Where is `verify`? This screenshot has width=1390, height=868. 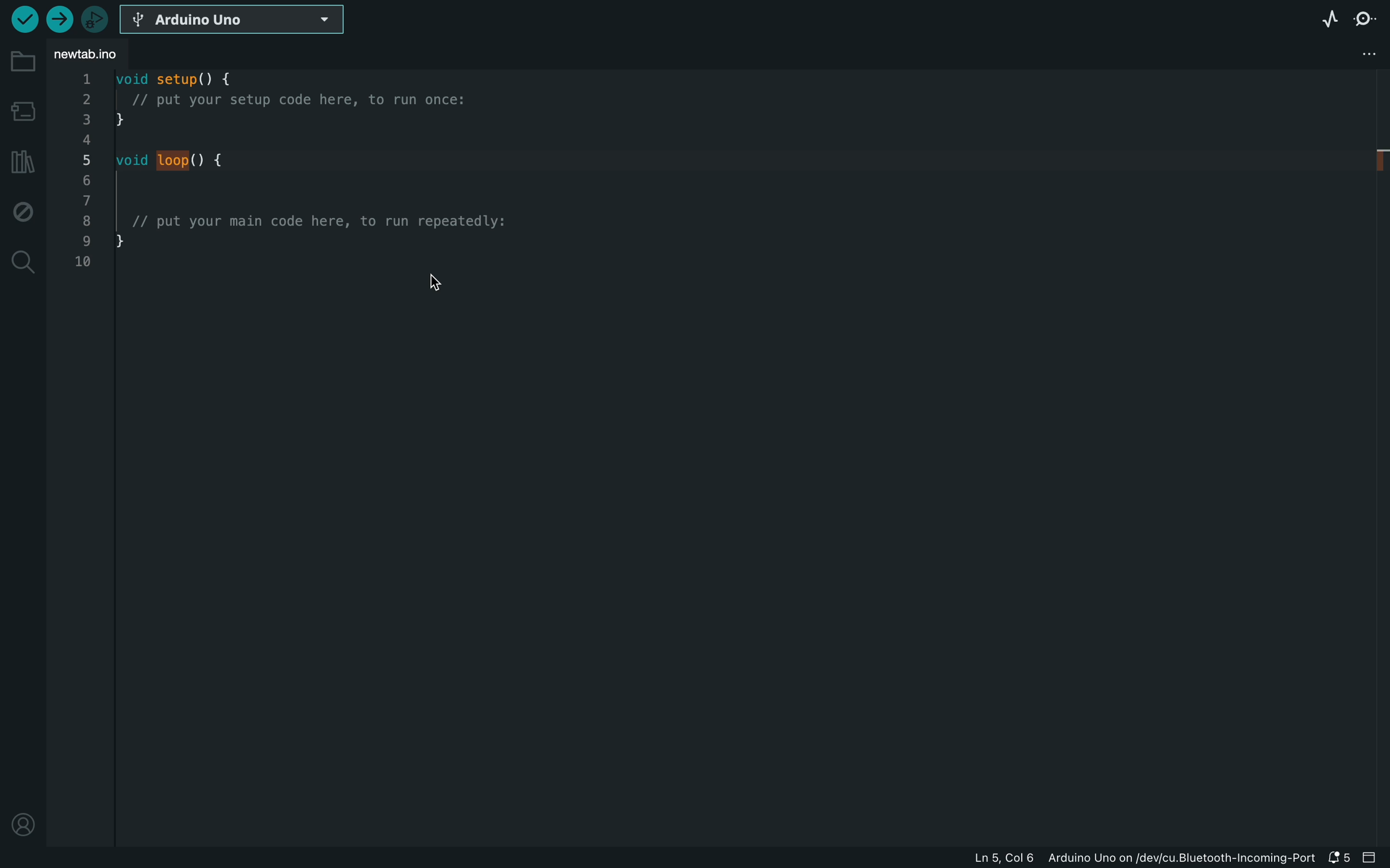 verify is located at coordinates (23, 19).